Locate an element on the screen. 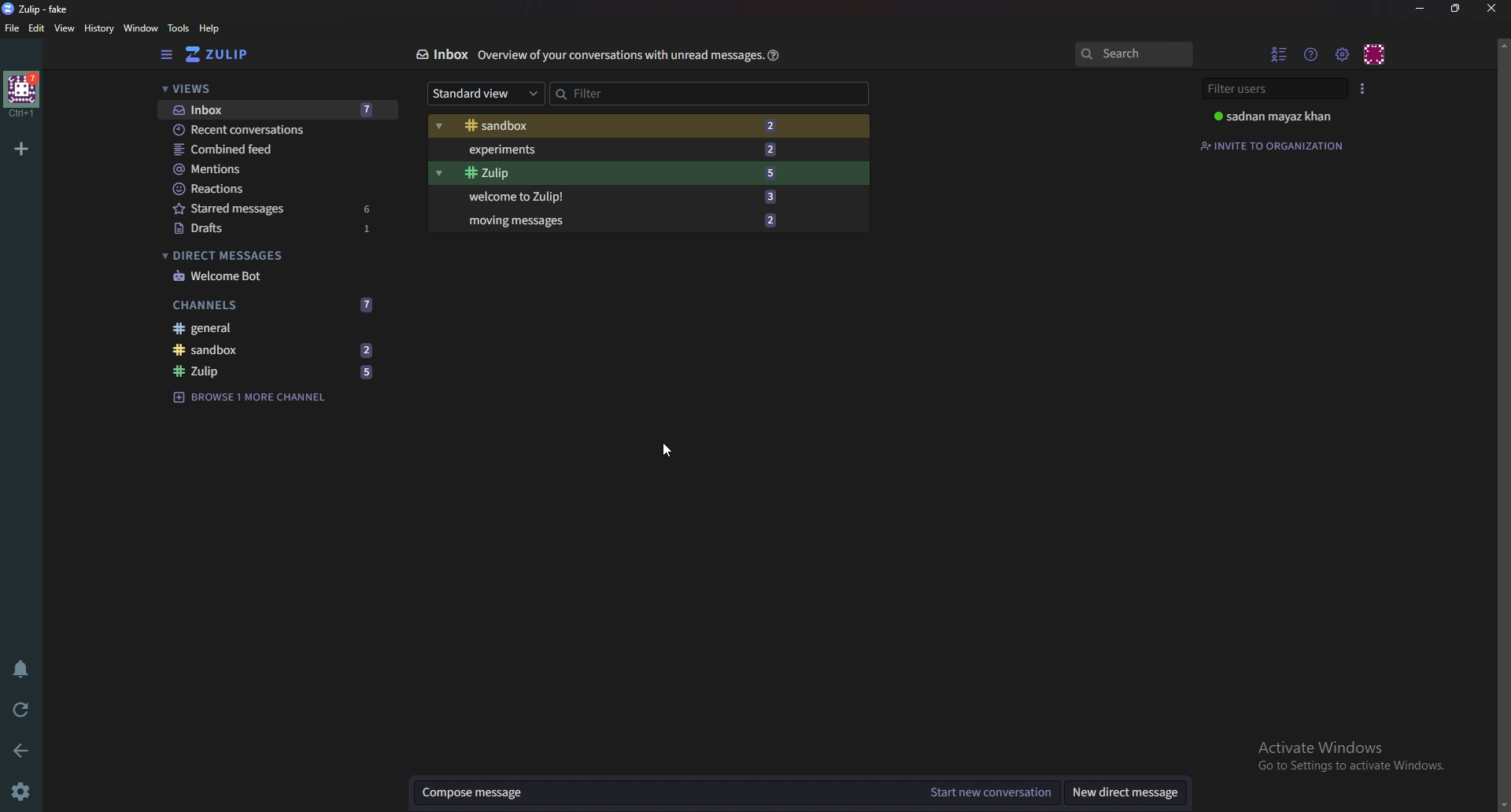 This screenshot has width=1511, height=812. sandbox is located at coordinates (279, 349).